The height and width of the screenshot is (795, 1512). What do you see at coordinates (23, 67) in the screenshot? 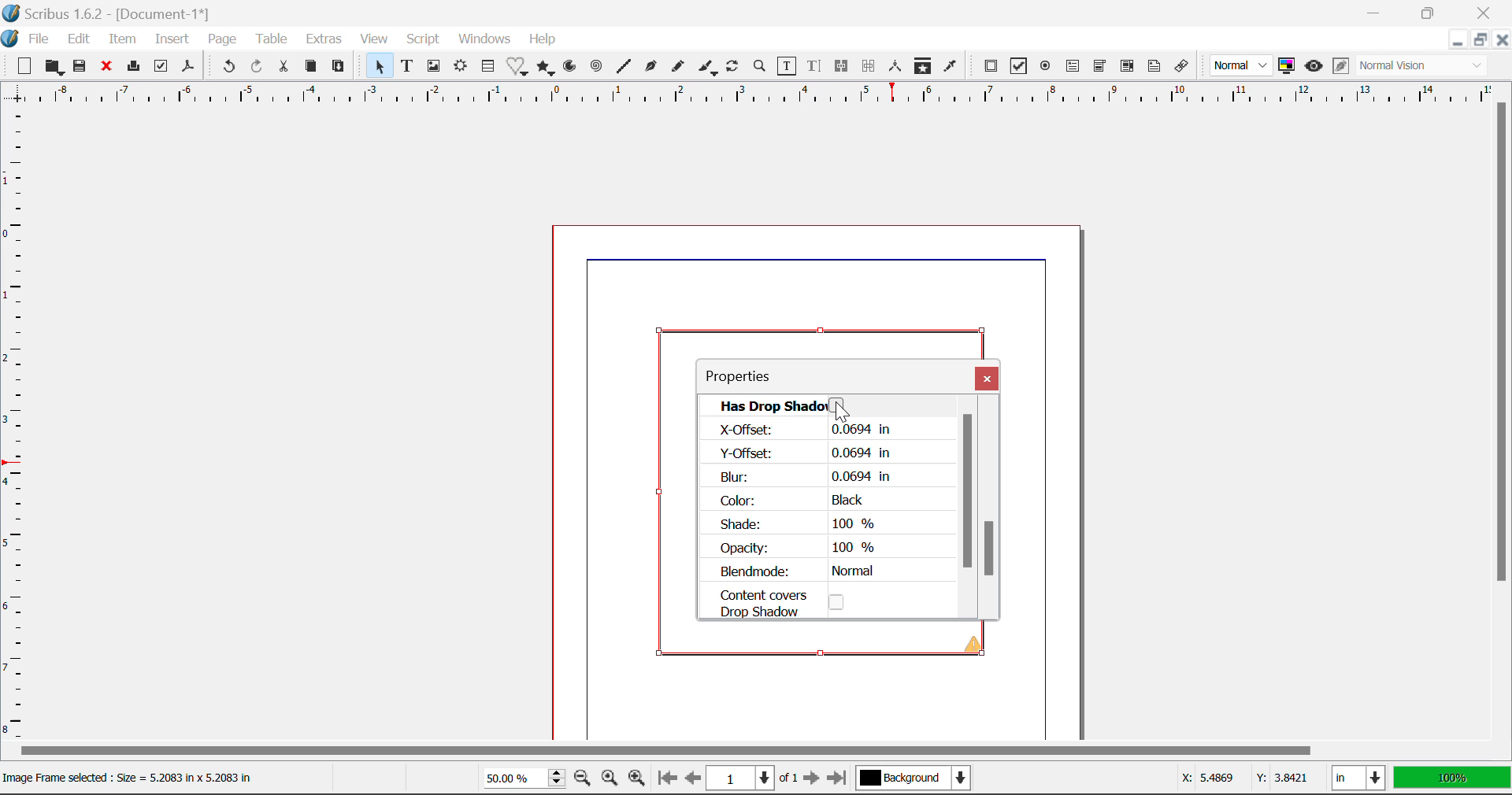
I see `New` at bounding box center [23, 67].